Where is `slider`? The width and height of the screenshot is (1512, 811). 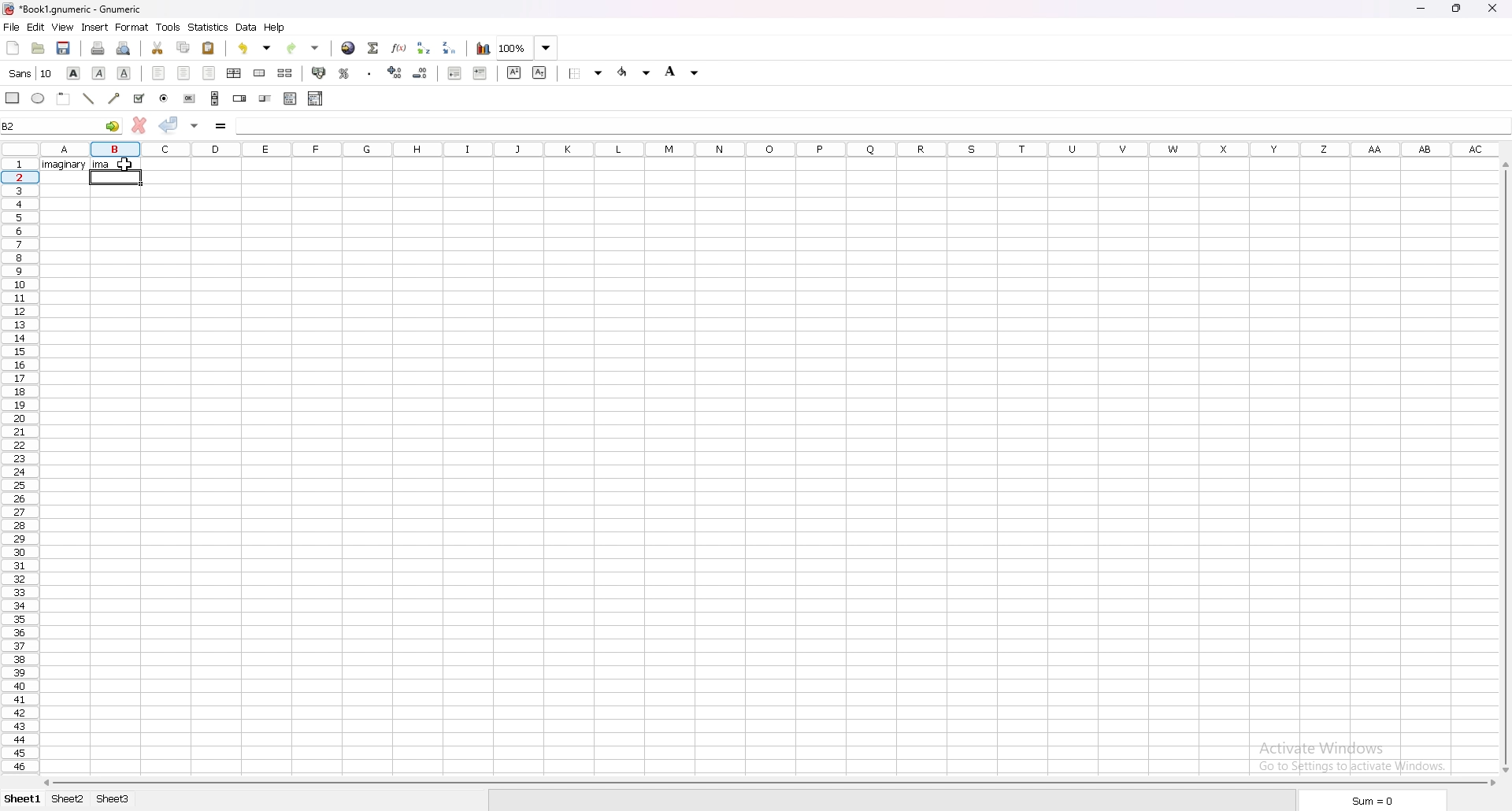
slider is located at coordinates (265, 98).